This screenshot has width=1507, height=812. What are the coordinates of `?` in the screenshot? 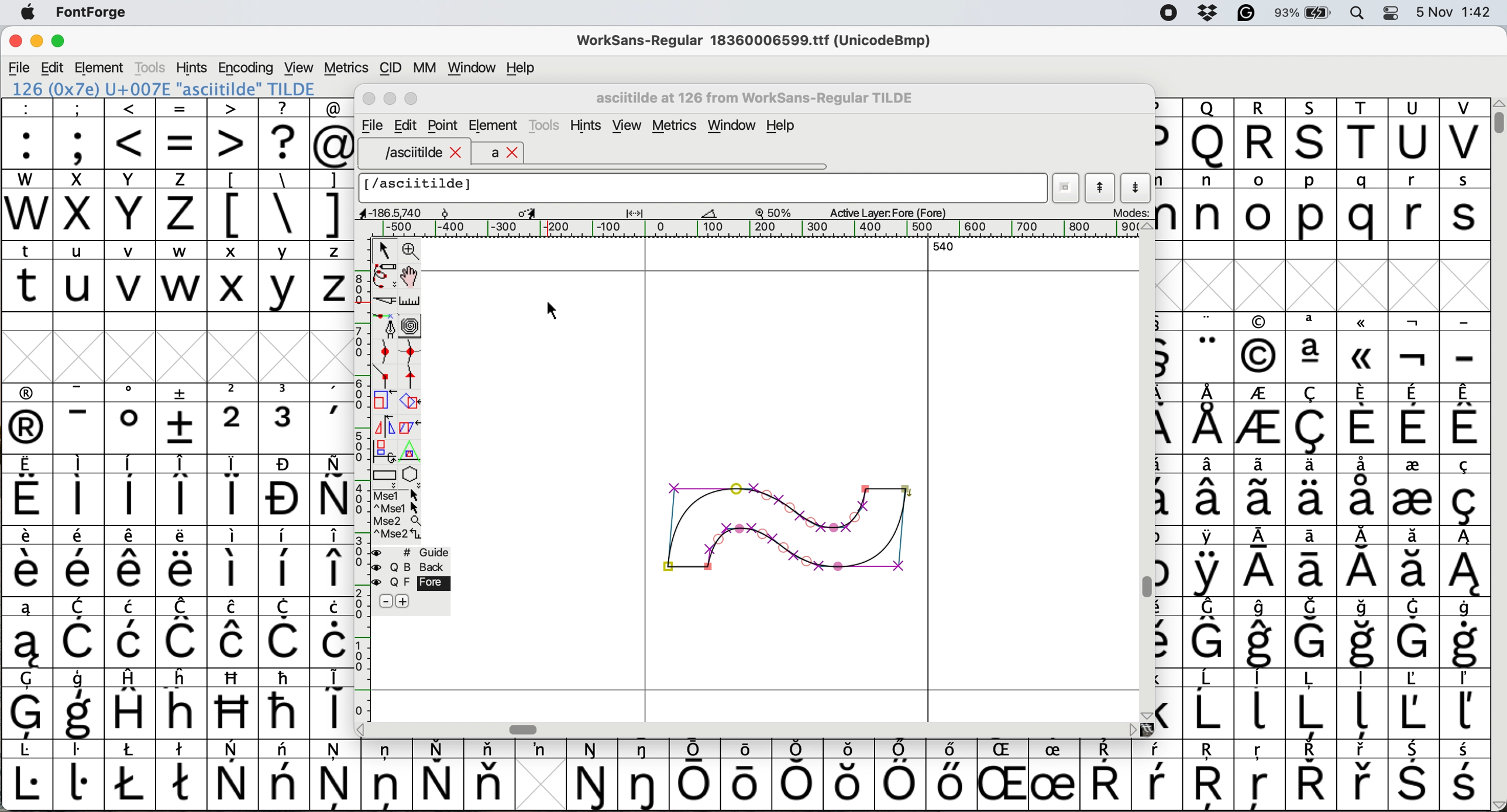 It's located at (284, 133).